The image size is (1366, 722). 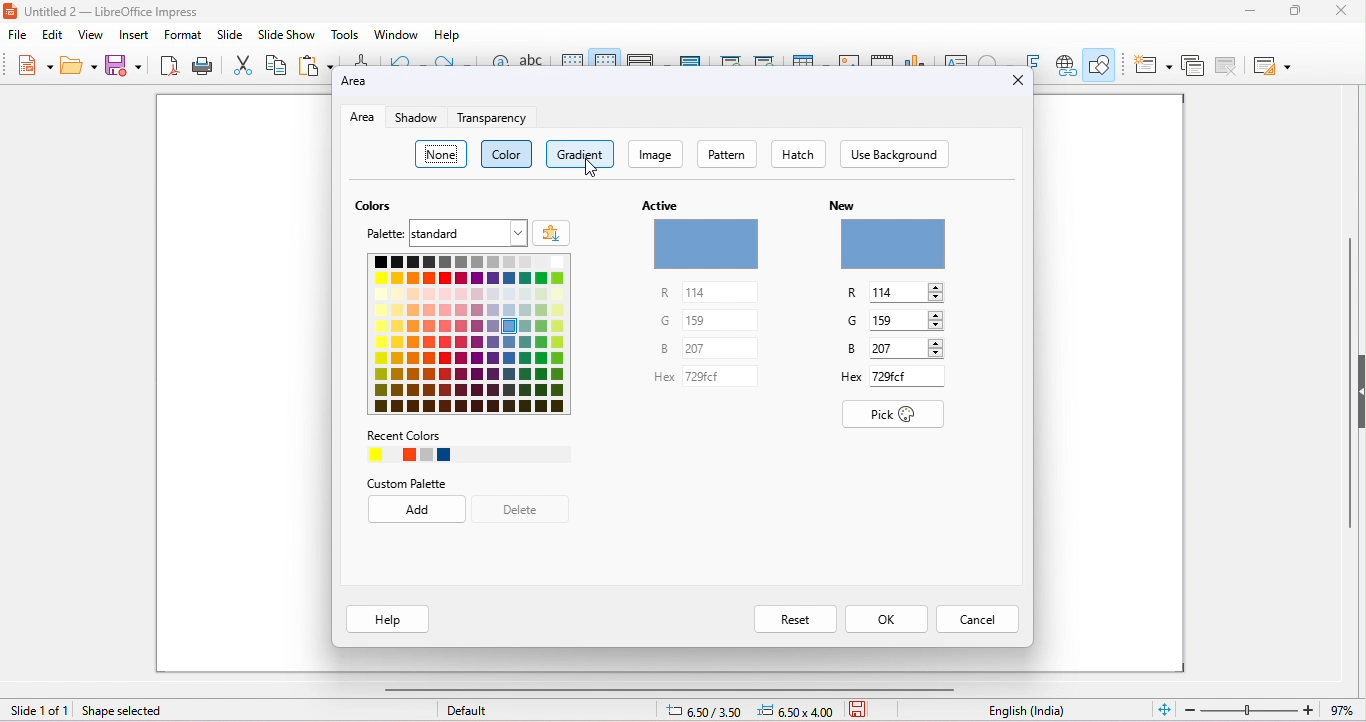 What do you see at coordinates (167, 64) in the screenshot?
I see `export pdf` at bounding box center [167, 64].